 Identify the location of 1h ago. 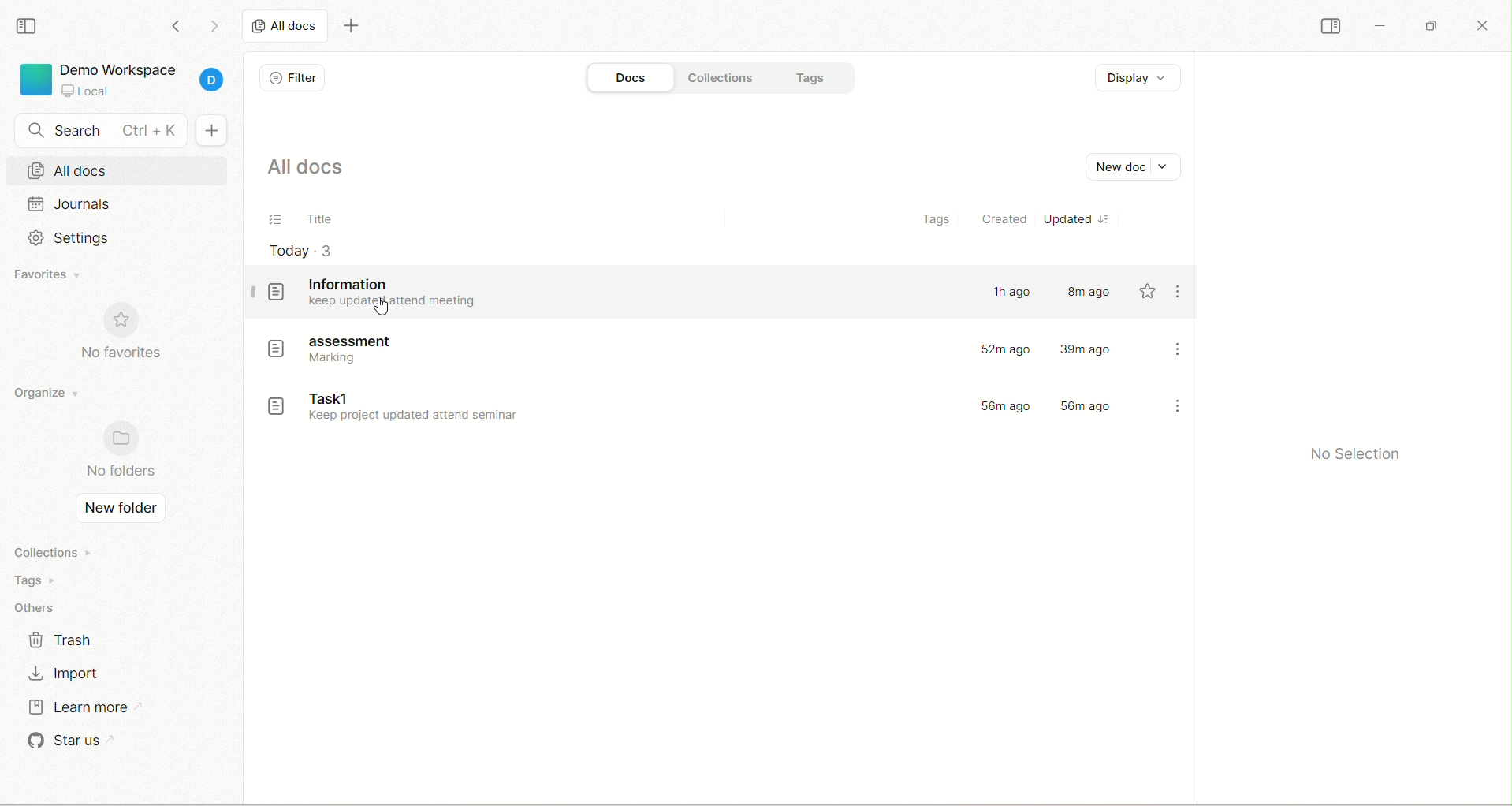
(1006, 295).